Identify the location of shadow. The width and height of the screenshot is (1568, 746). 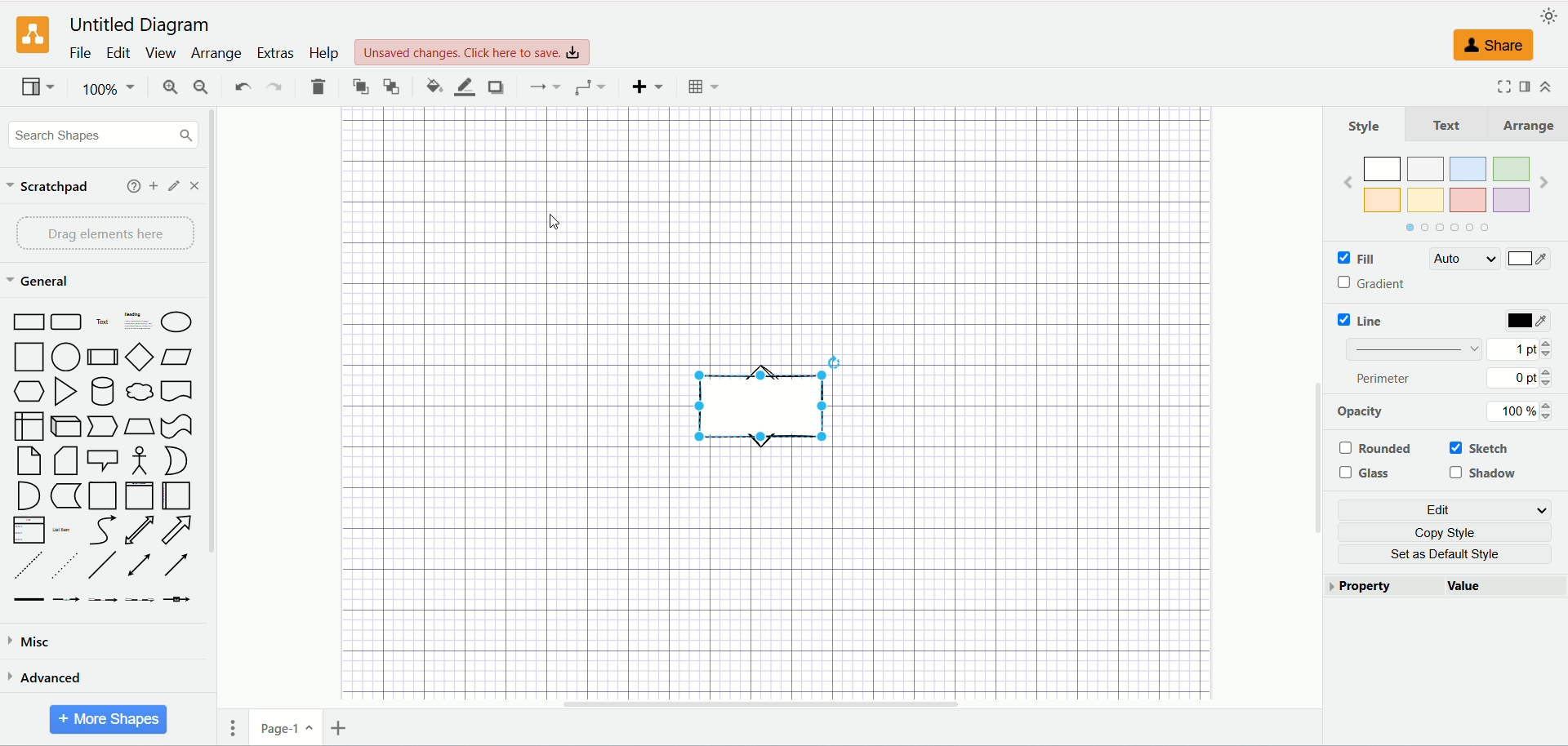
(1484, 475).